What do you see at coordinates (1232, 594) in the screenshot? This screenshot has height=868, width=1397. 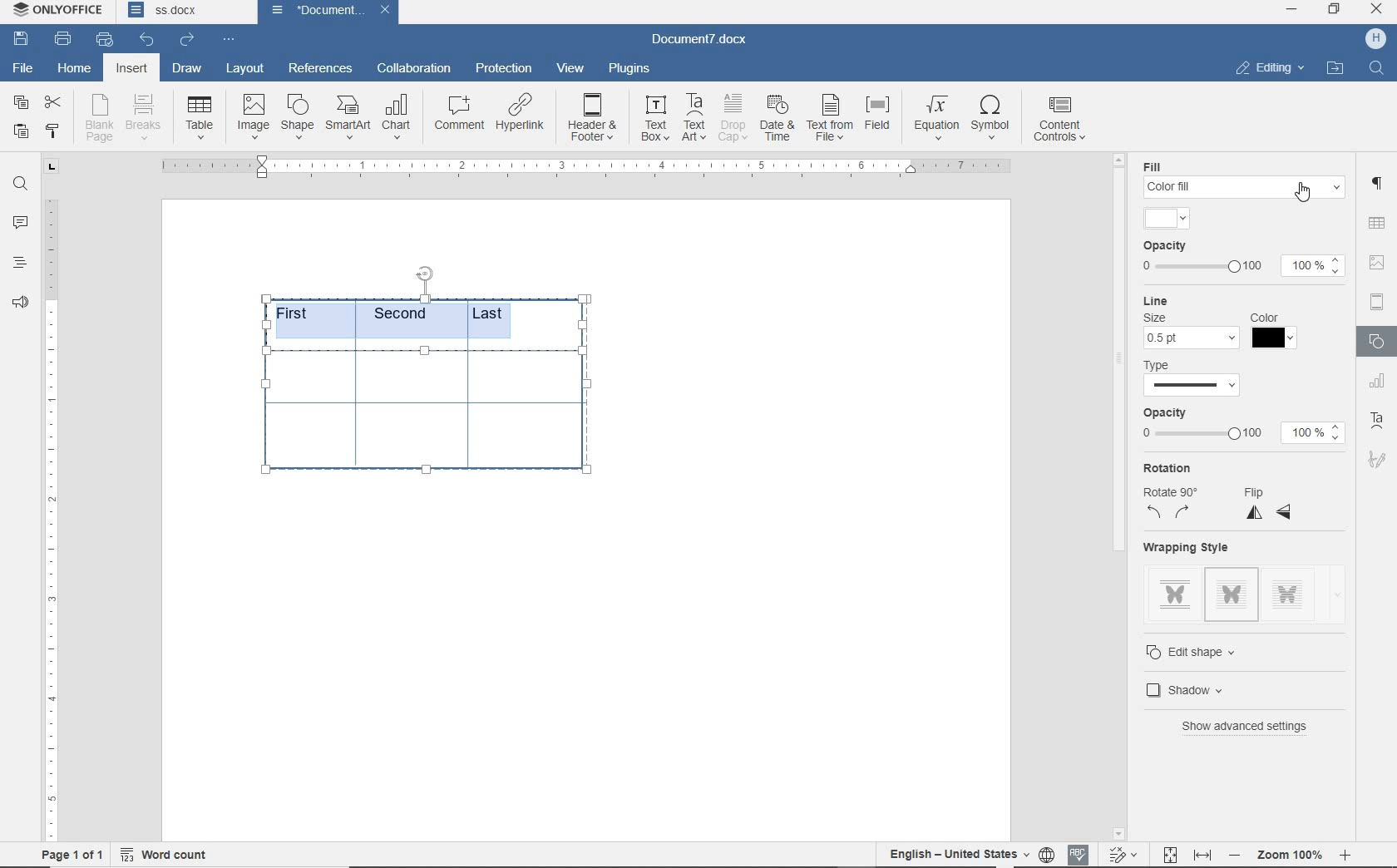 I see `style 2` at bounding box center [1232, 594].